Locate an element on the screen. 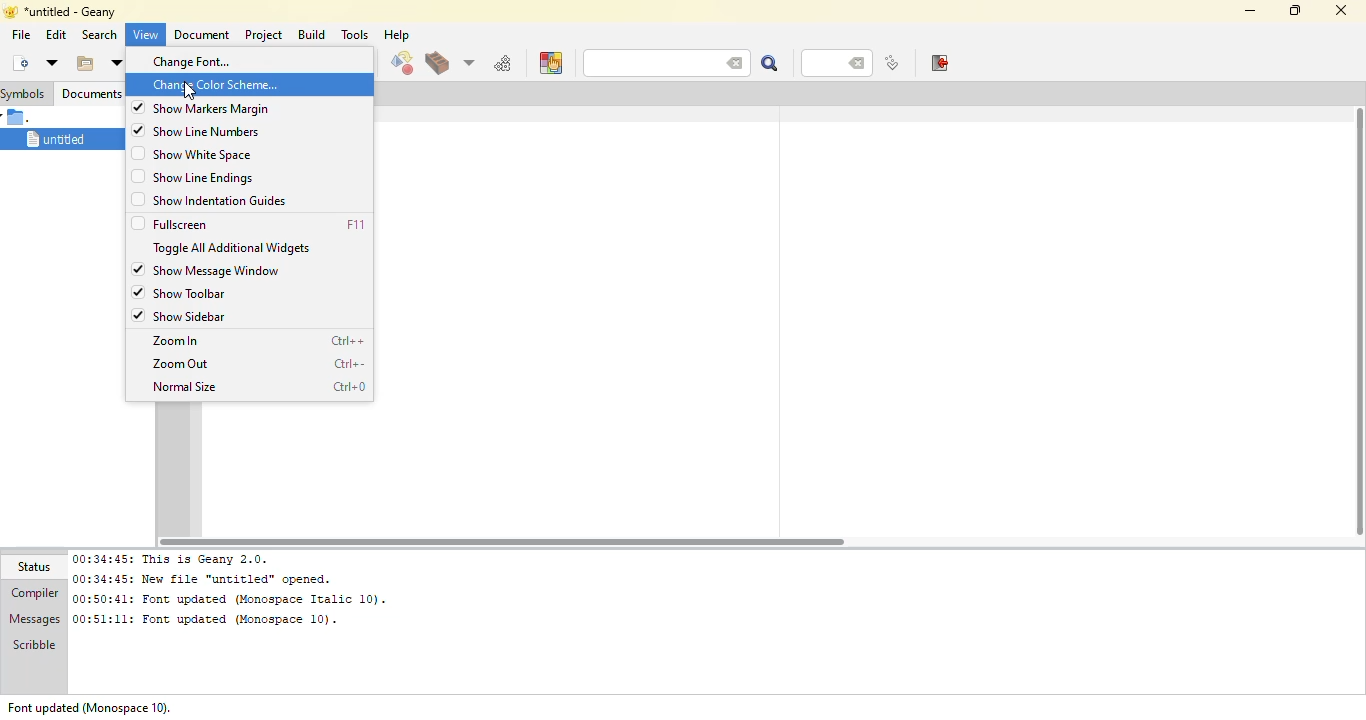 The image size is (1366, 720). help is located at coordinates (395, 35).